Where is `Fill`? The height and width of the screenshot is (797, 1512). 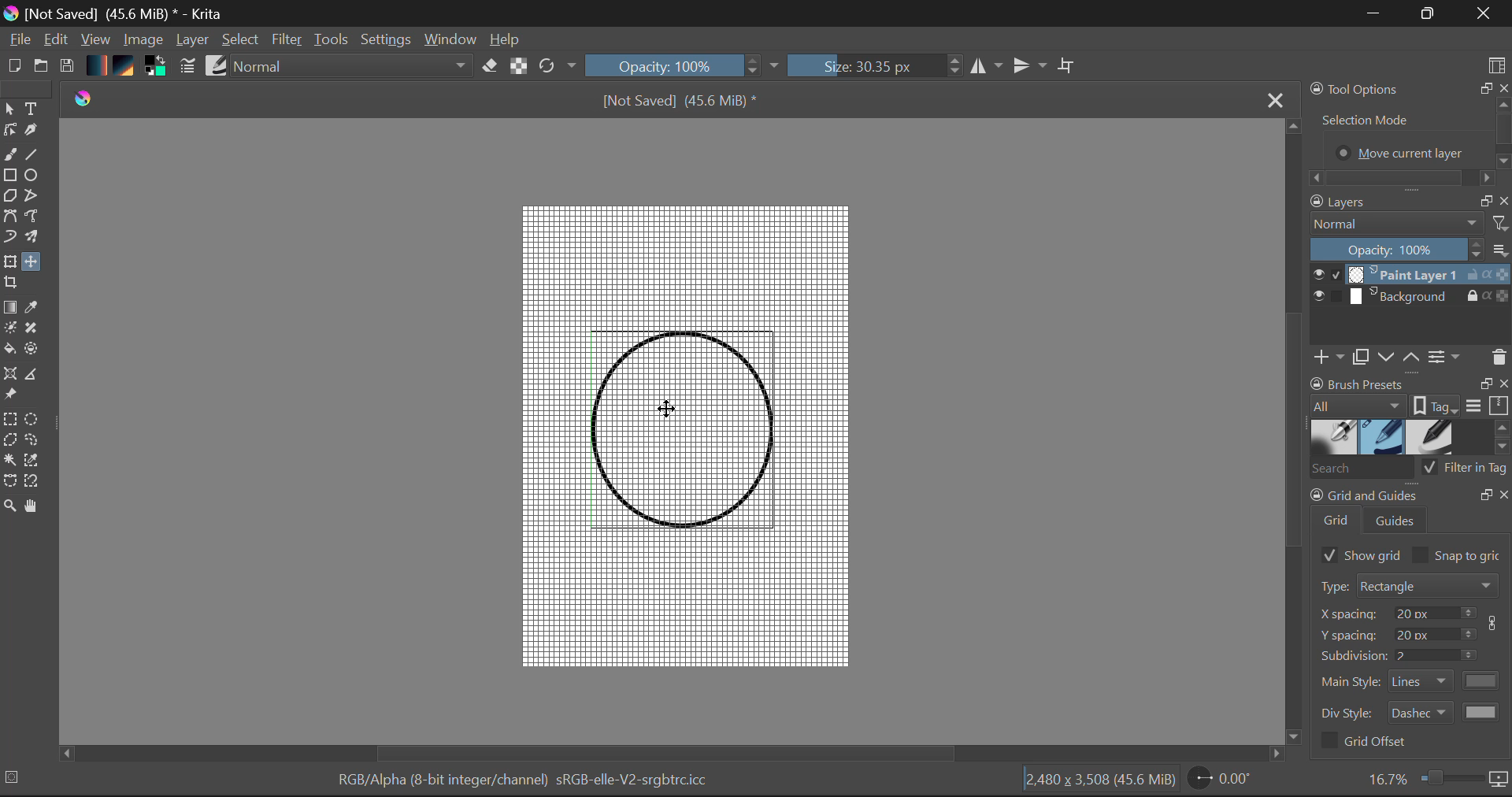
Fill is located at coordinates (9, 350).